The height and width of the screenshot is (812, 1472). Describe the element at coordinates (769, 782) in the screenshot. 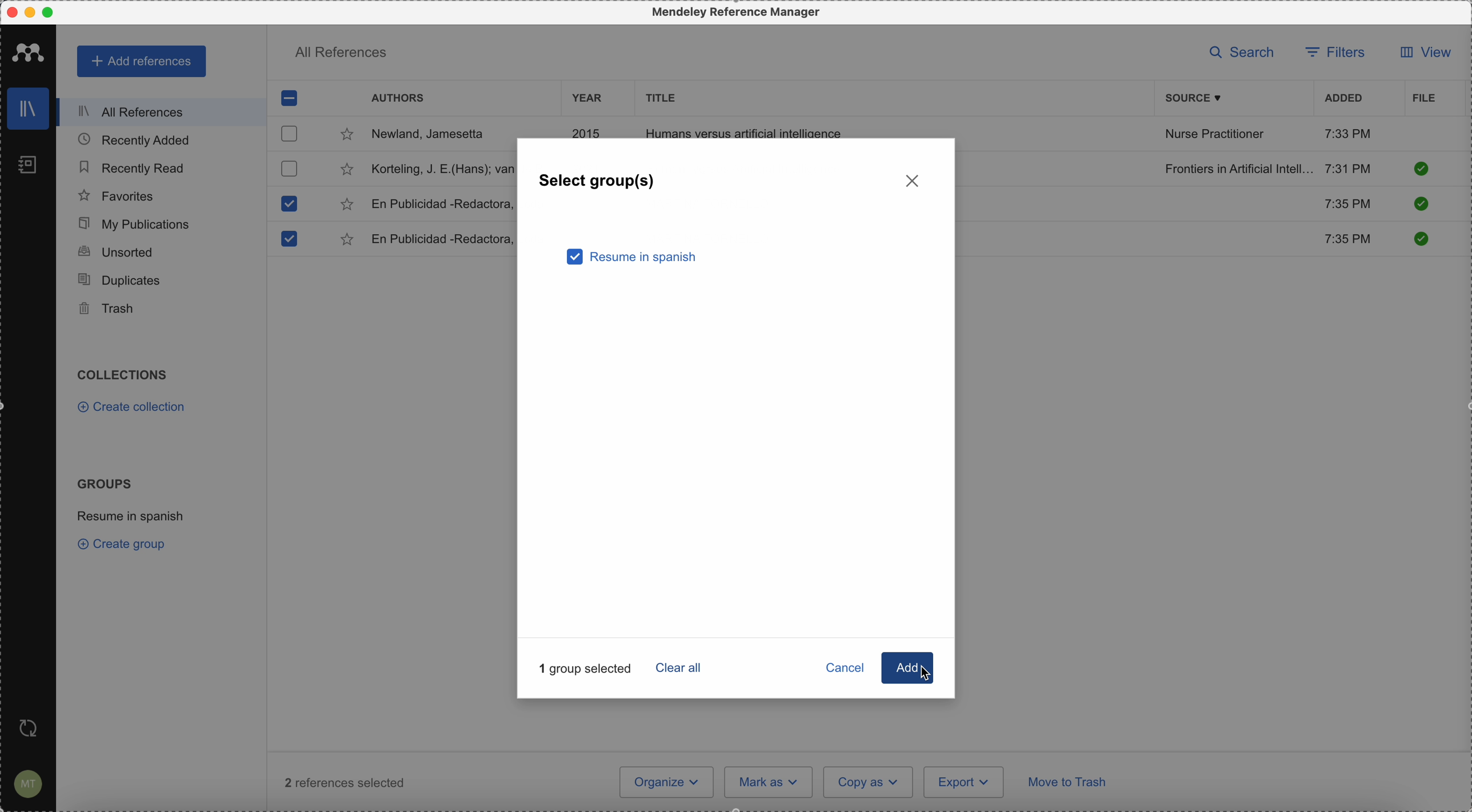

I see `mark as` at that location.